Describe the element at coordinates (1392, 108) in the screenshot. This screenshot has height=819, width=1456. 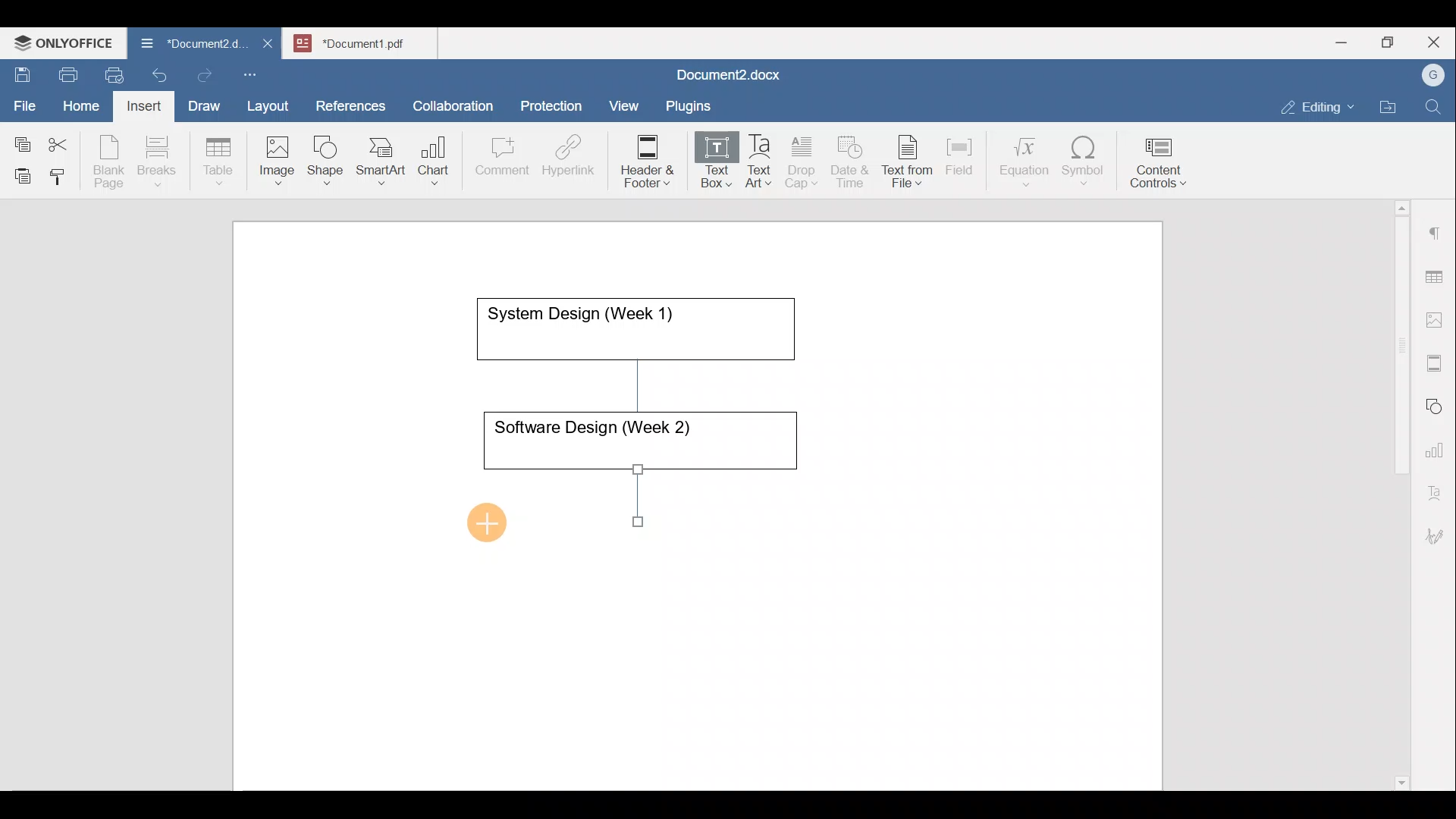
I see `Open file location` at that location.